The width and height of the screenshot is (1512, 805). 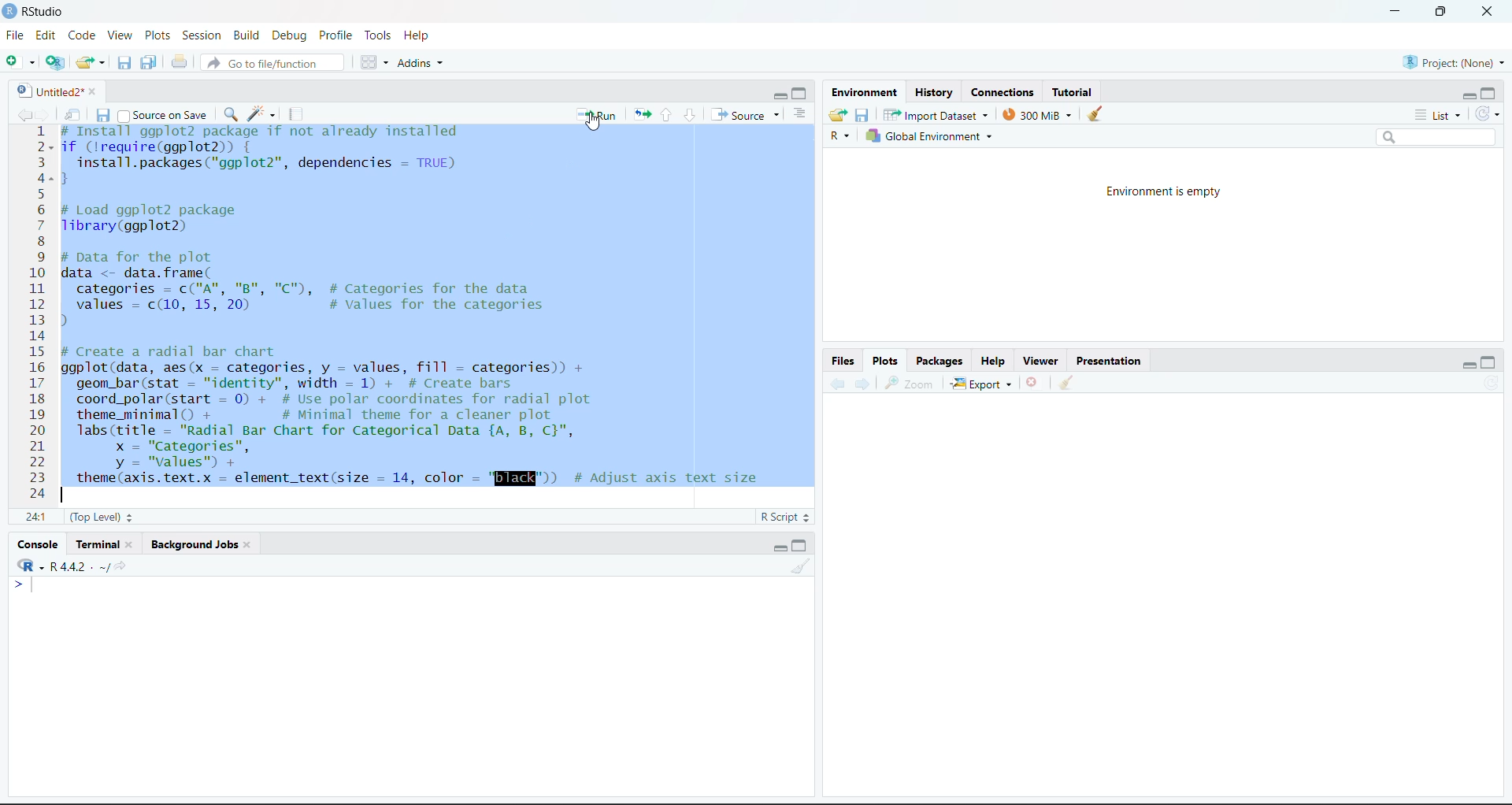 I want to click on Terminal, so click(x=103, y=545).